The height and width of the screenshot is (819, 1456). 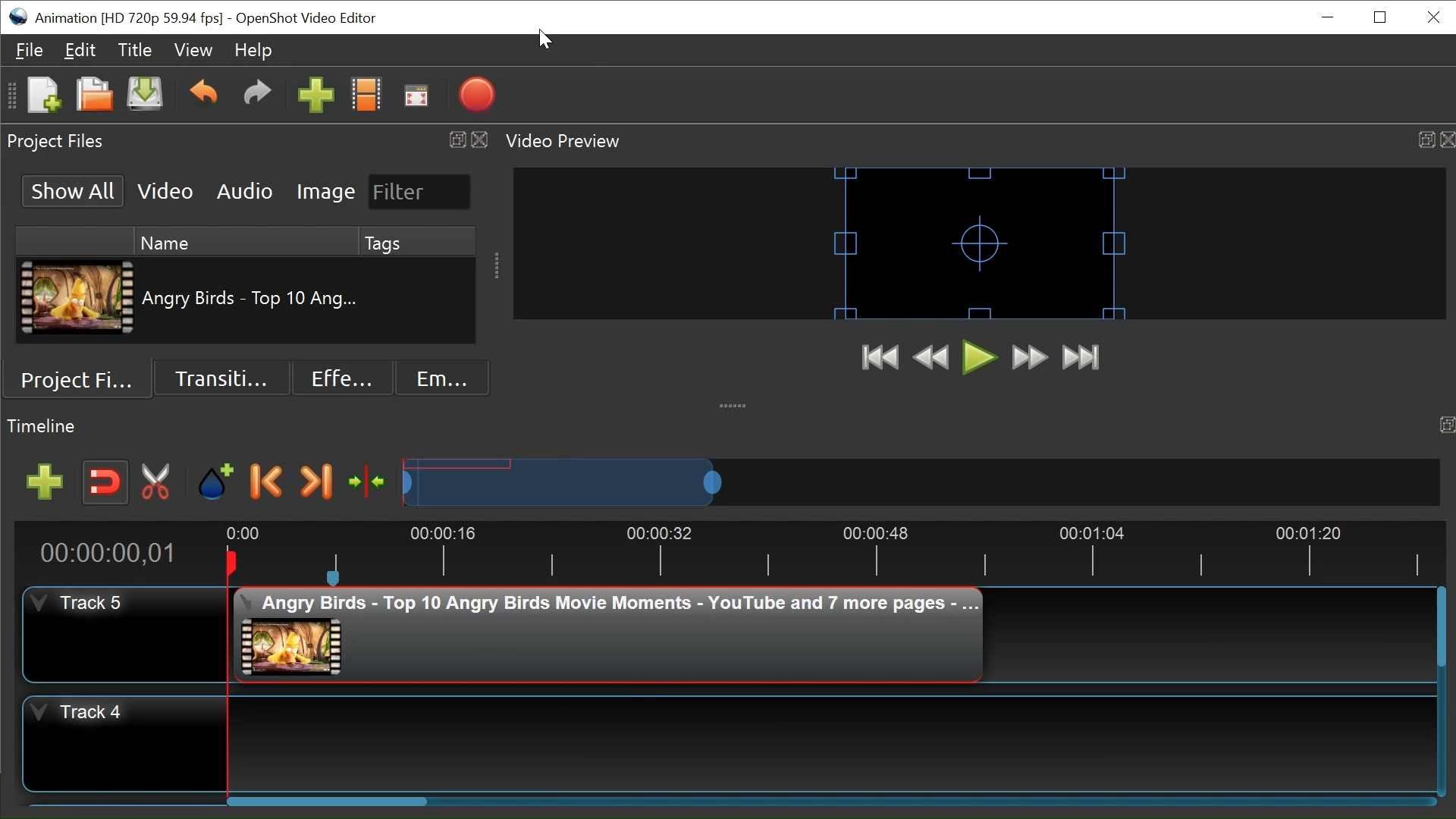 What do you see at coordinates (979, 141) in the screenshot?
I see `Video Preview Panel` at bounding box center [979, 141].